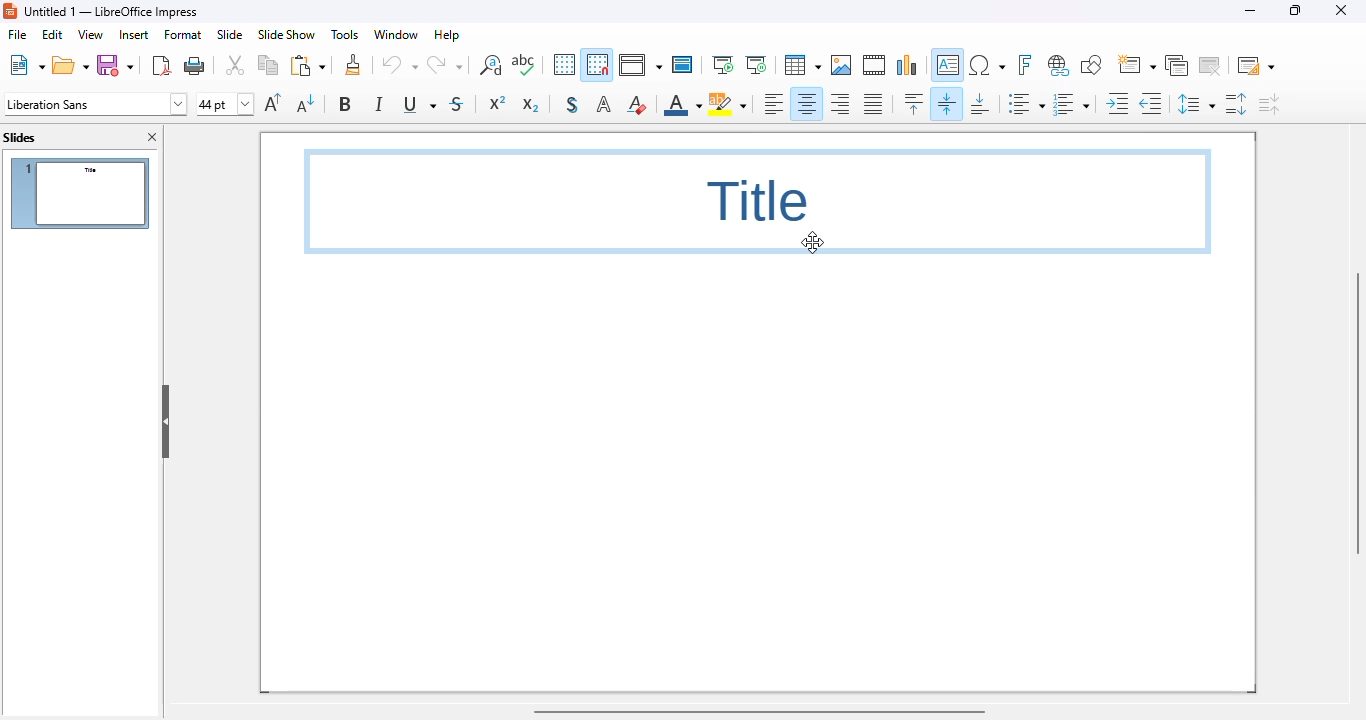 The height and width of the screenshot is (720, 1366). I want to click on justified, so click(873, 104).